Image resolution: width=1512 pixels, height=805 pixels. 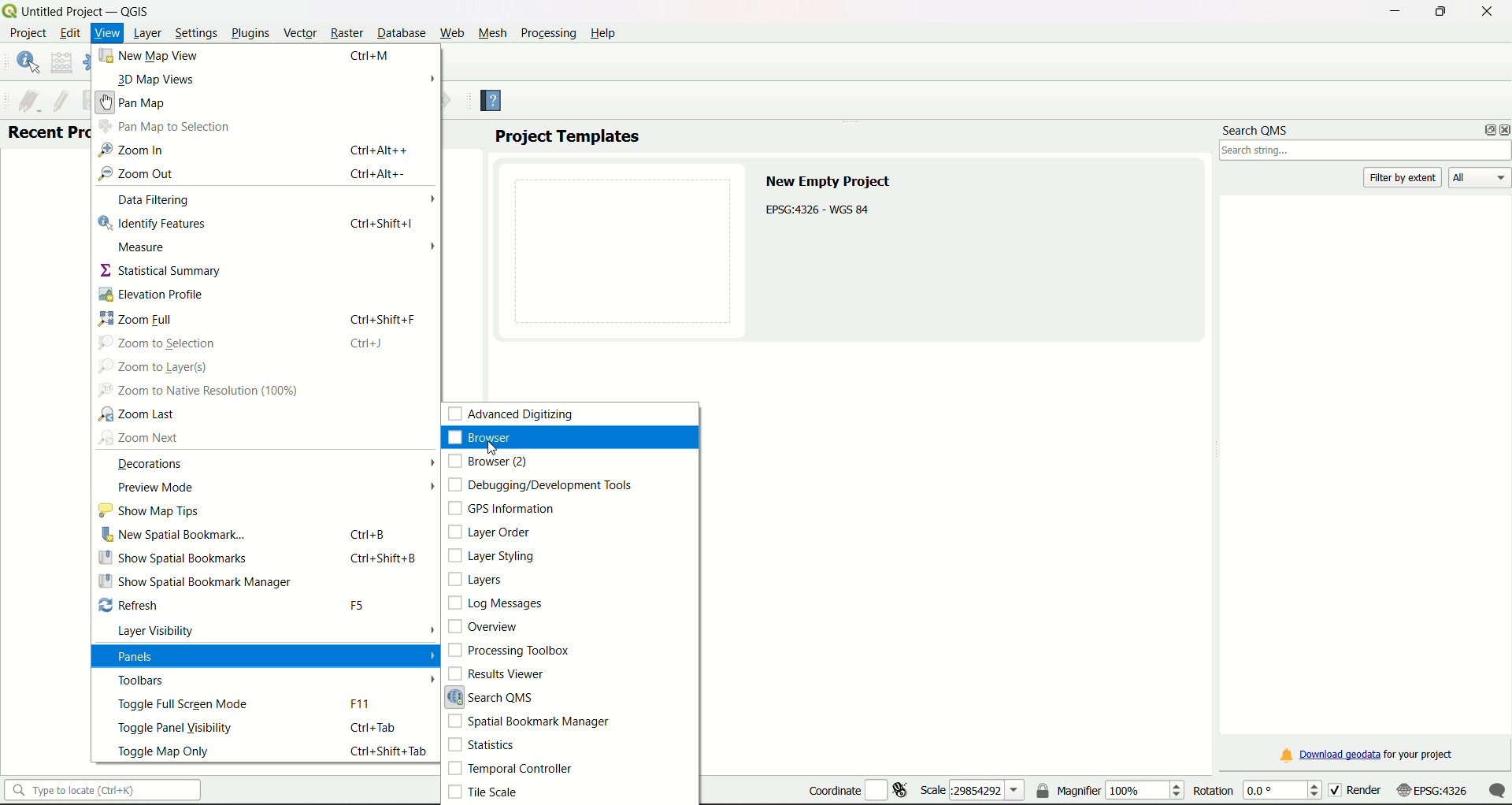 What do you see at coordinates (135, 175) in the screenshot?
I see `Zoom out` at bounding box center [135, 175].